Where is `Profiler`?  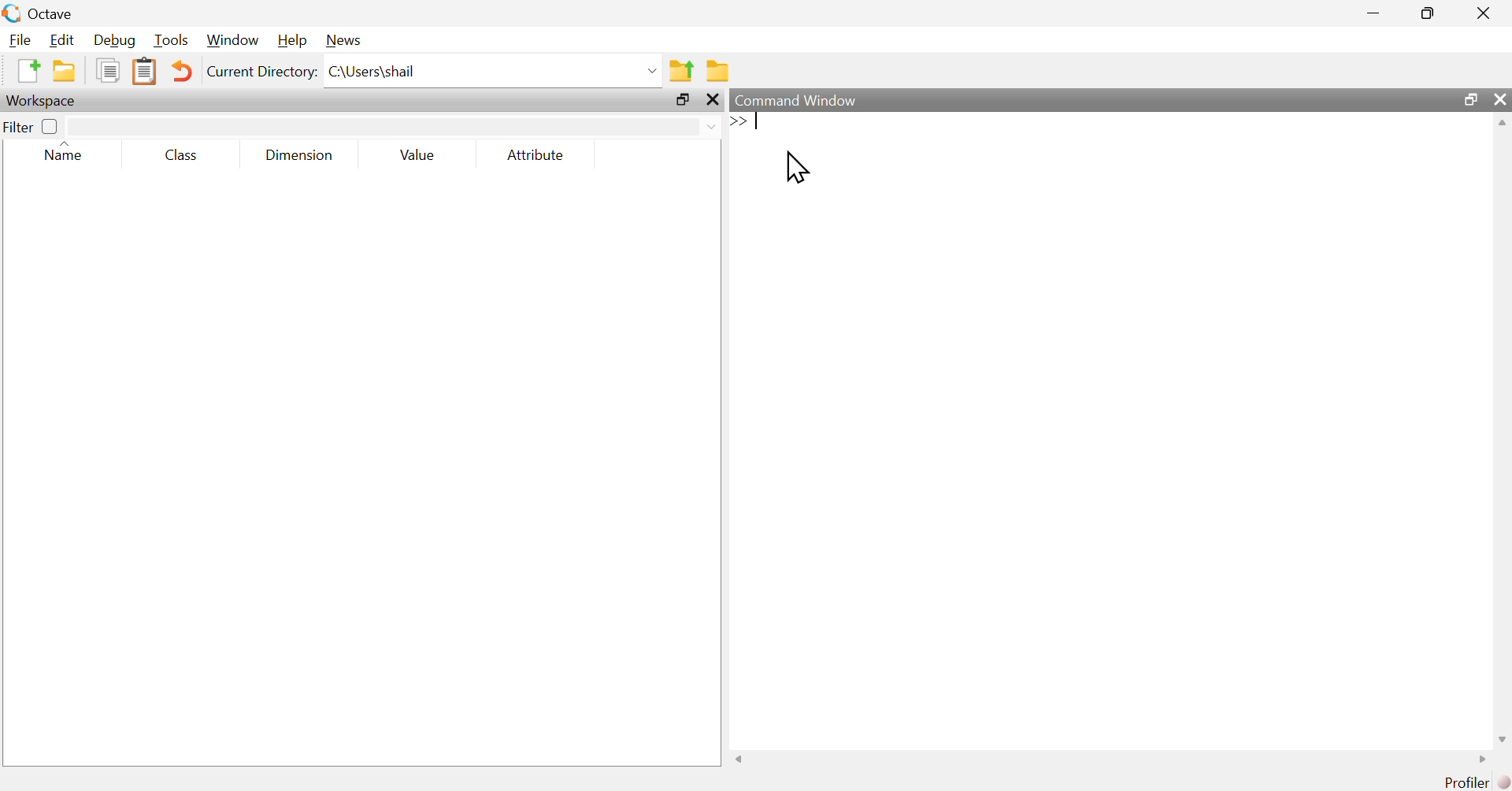
Profiler is located at coordinates (1463, 782).